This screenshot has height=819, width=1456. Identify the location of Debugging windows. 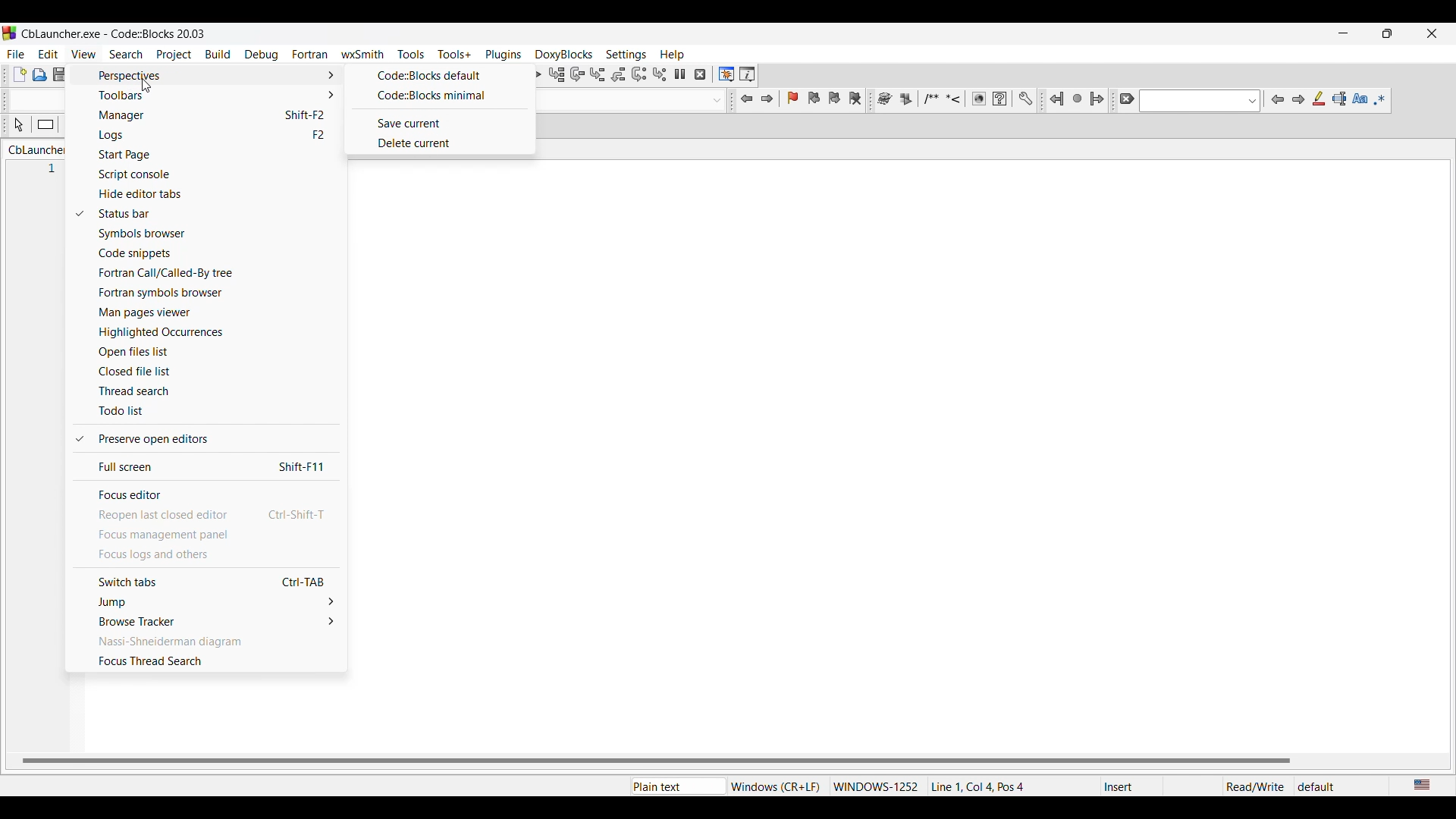
(726, 74).